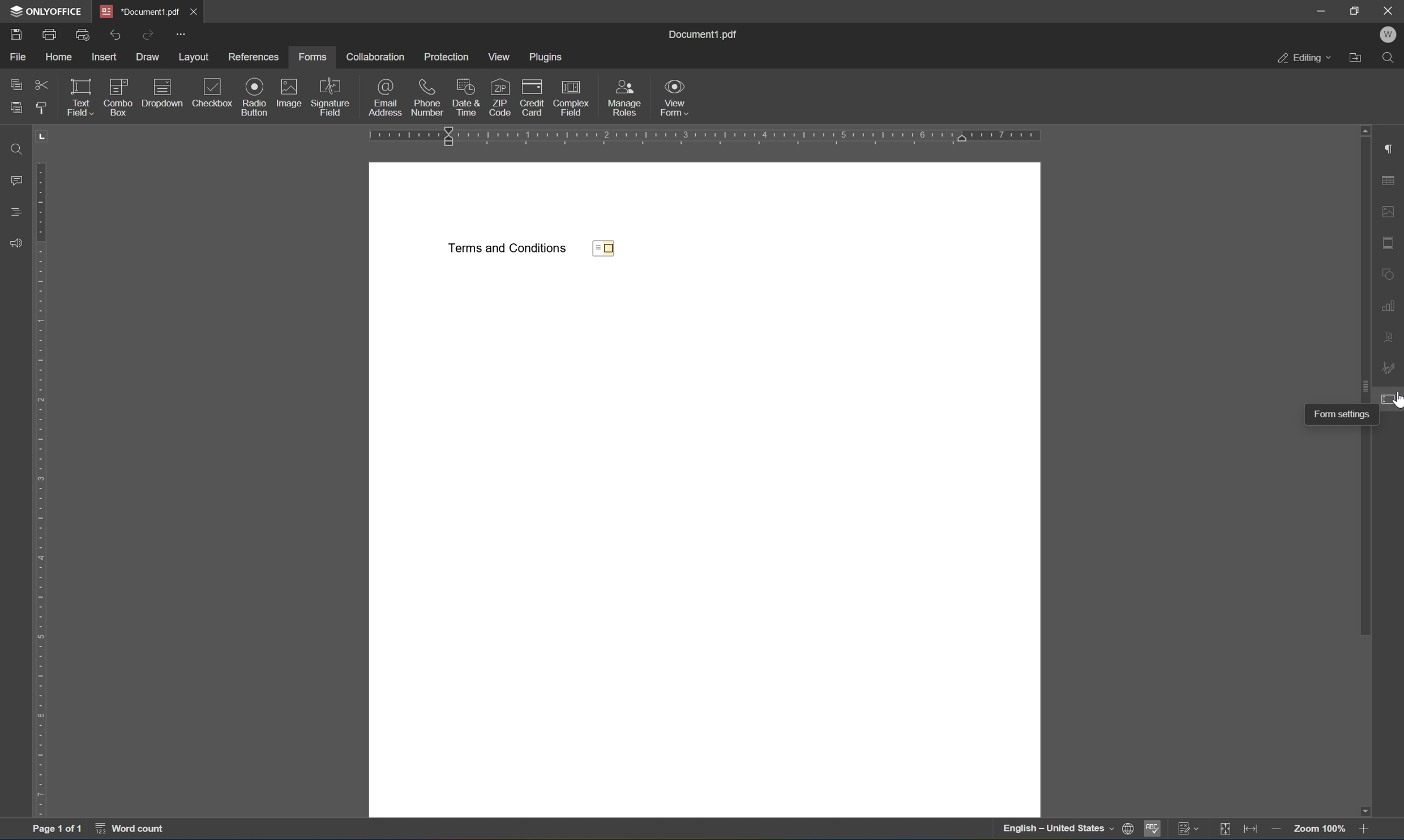 Image resolution: width=1404 pixels, height=840 pixels. Describe the element at coordinates (499, 96) in the screenshot. I see `zip codes` at that location.